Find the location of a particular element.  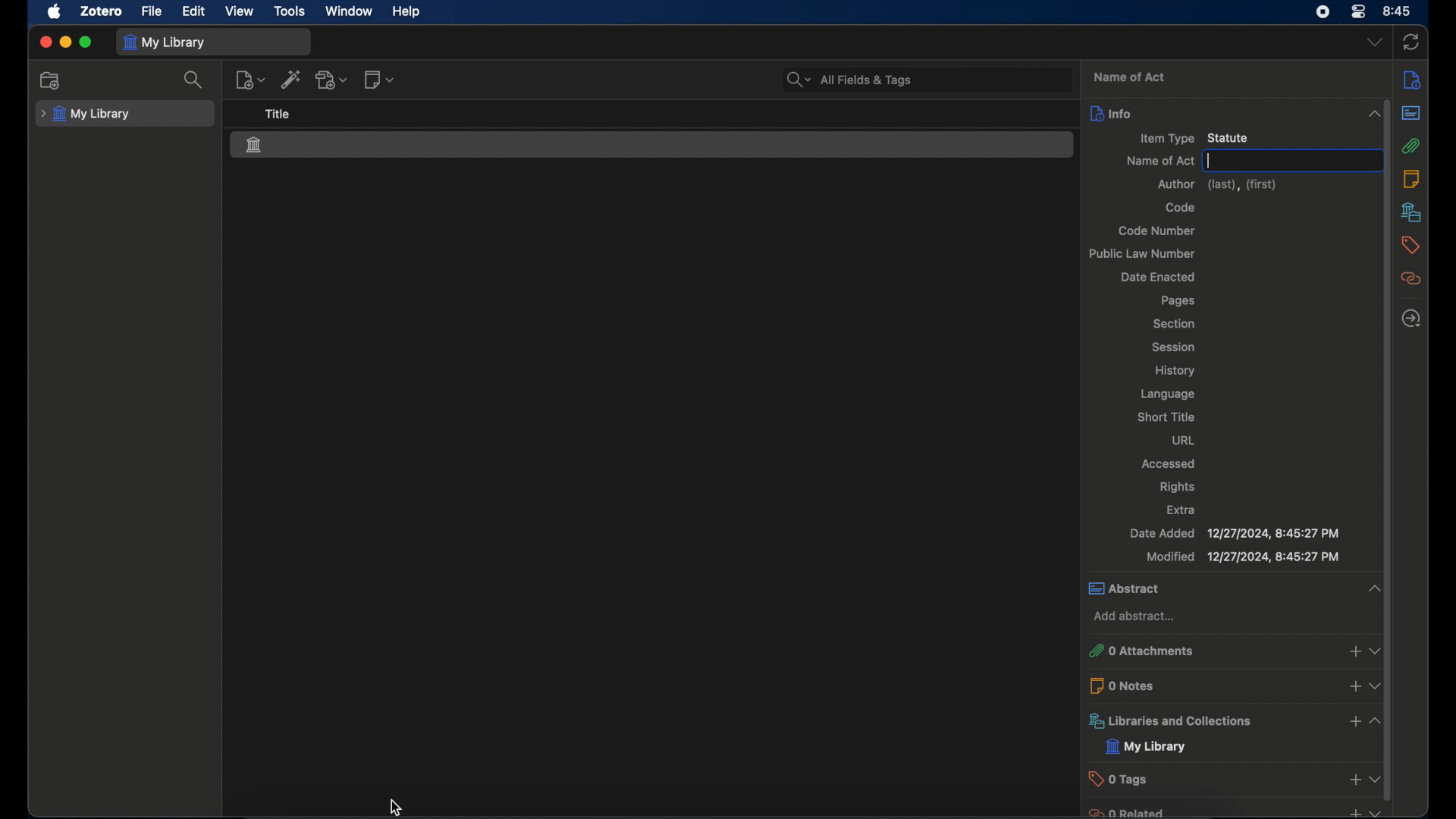

8.45 is located at coordinates (1398, 10).